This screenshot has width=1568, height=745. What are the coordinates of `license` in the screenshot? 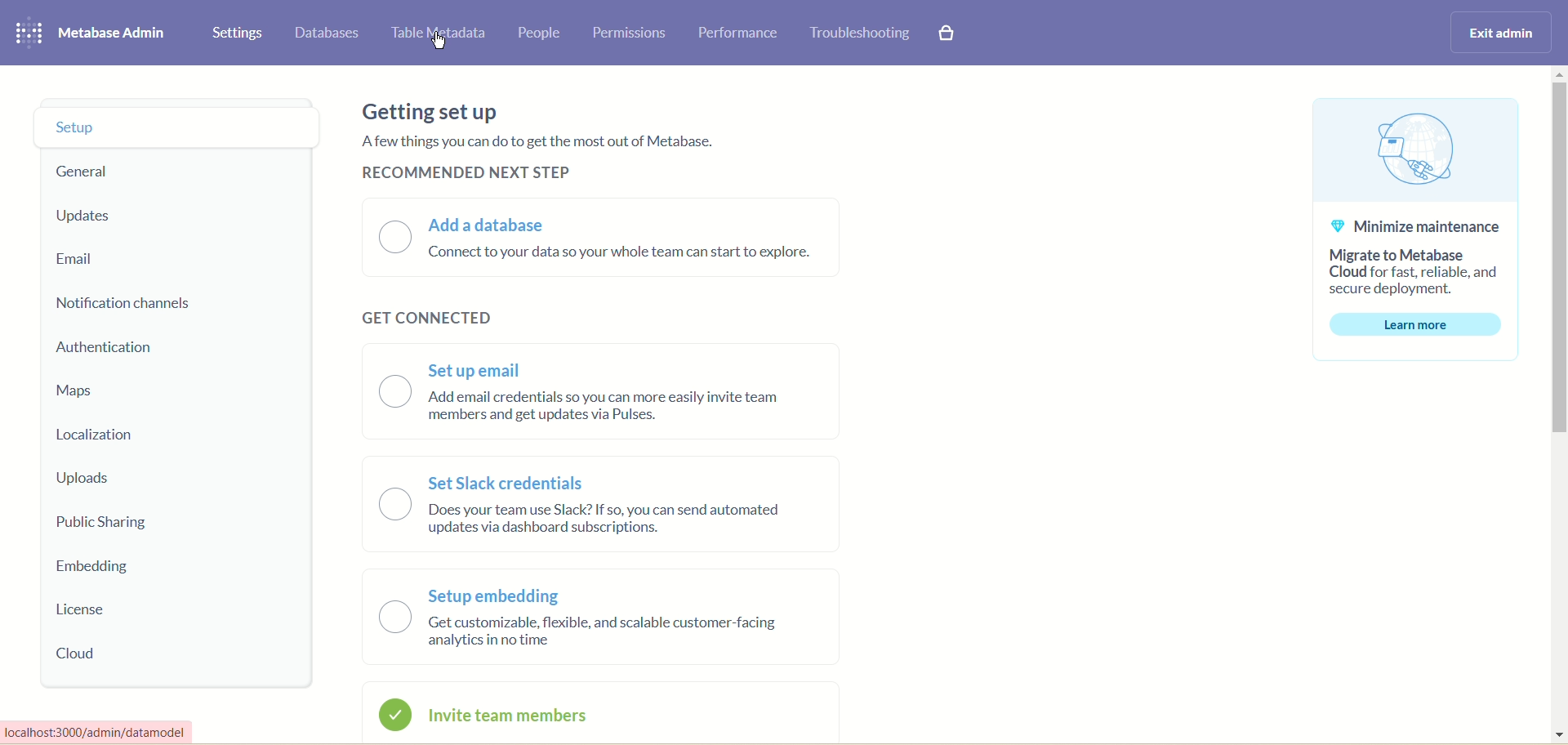 It's located at (80, 609).